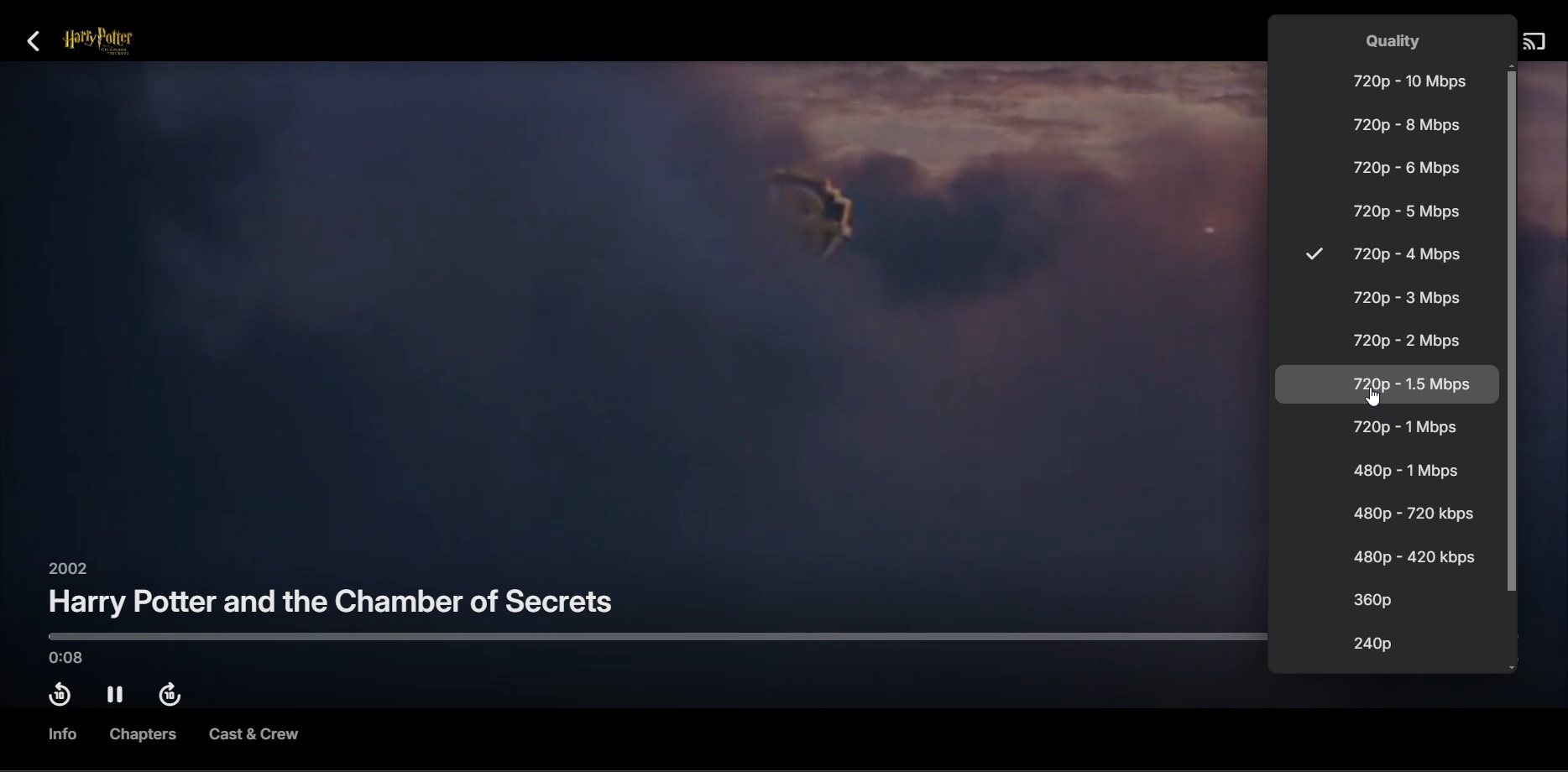 The width and height of the screenshot is (1568, 772). I want to click on 720p - 8Mbps, so click(1403, 124).